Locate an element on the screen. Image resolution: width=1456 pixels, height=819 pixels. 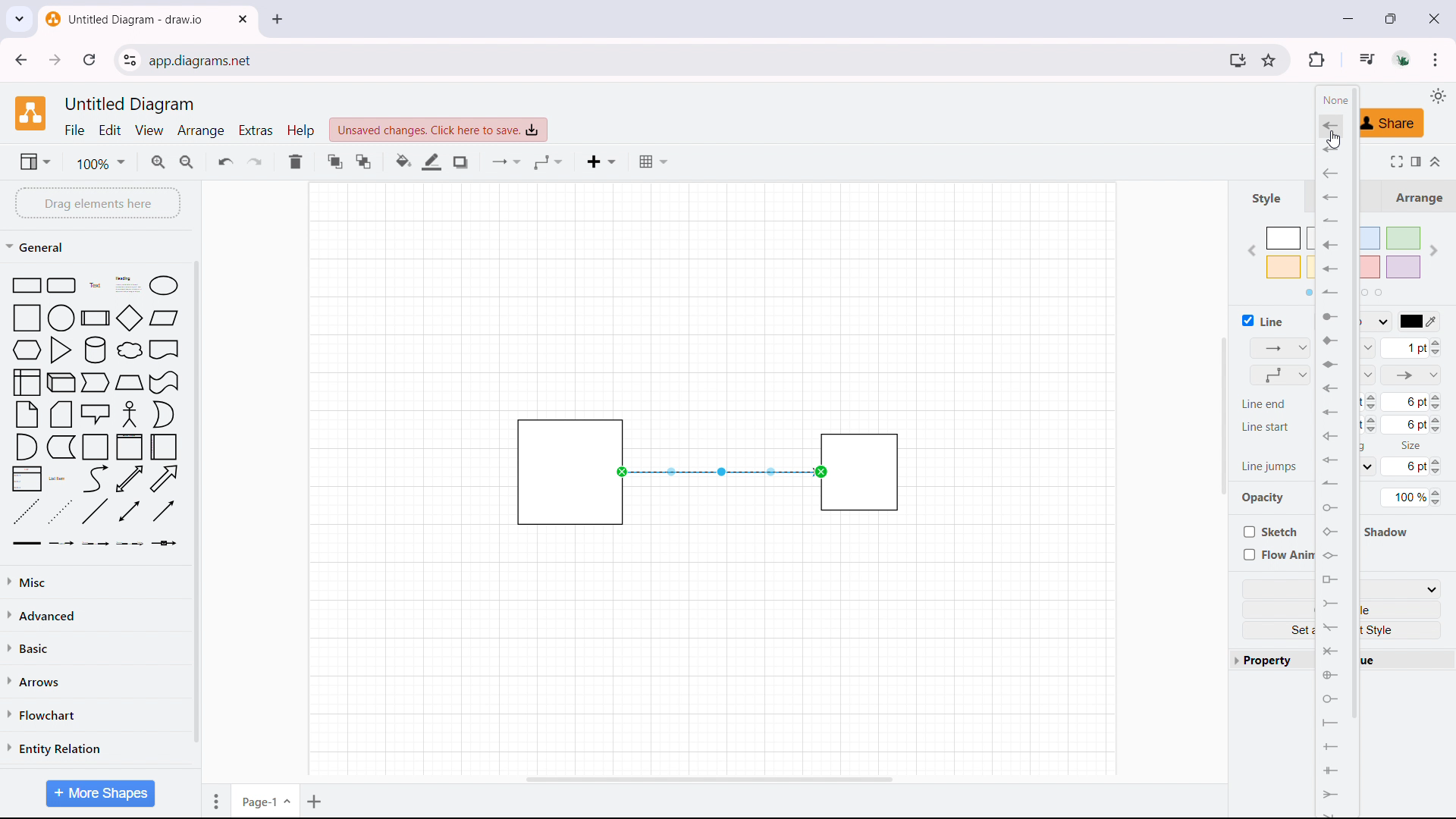
advanced is located at coordinates (96, 614).